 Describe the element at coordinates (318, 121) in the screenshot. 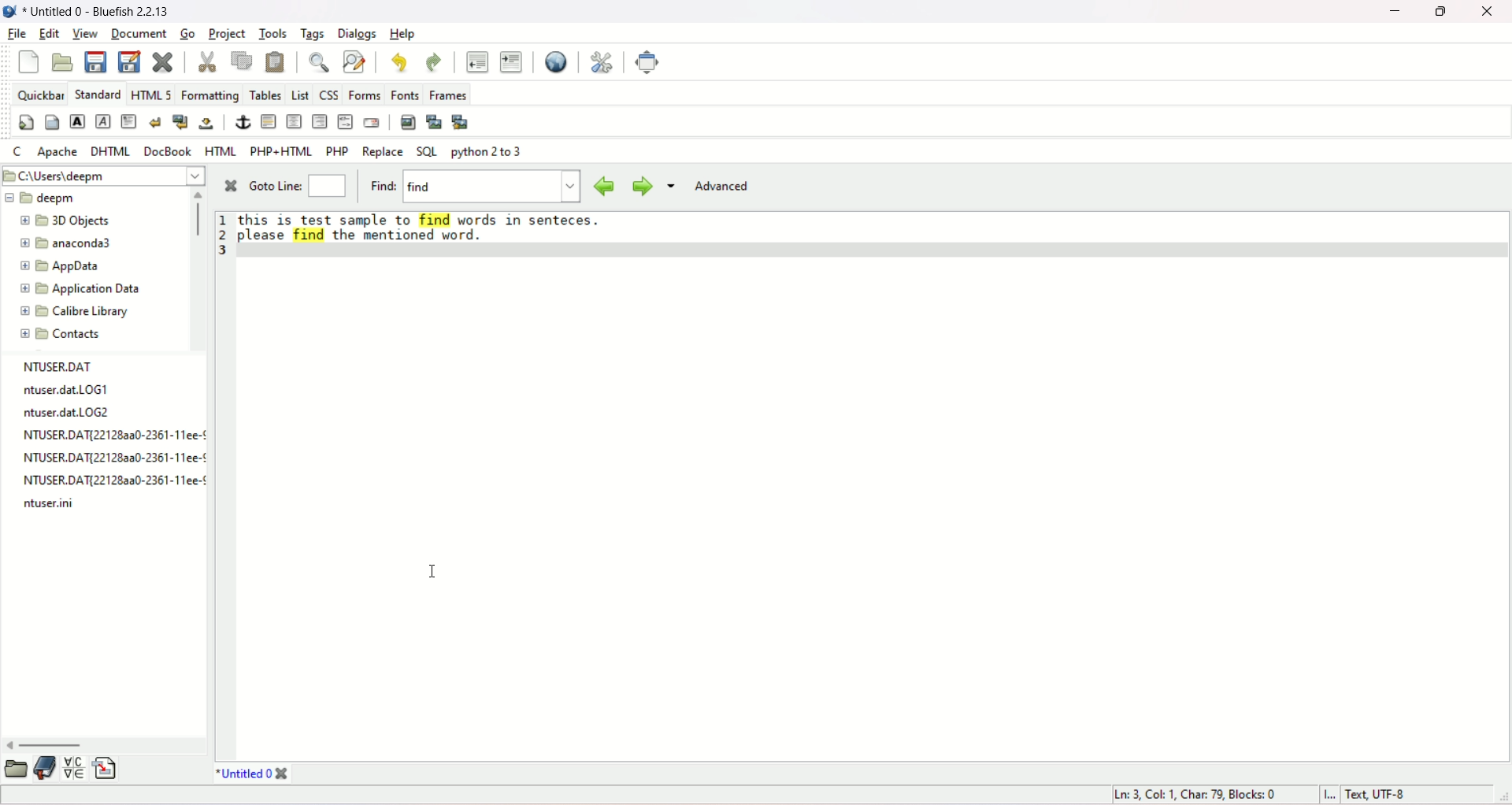

I see `right justify` at that location.